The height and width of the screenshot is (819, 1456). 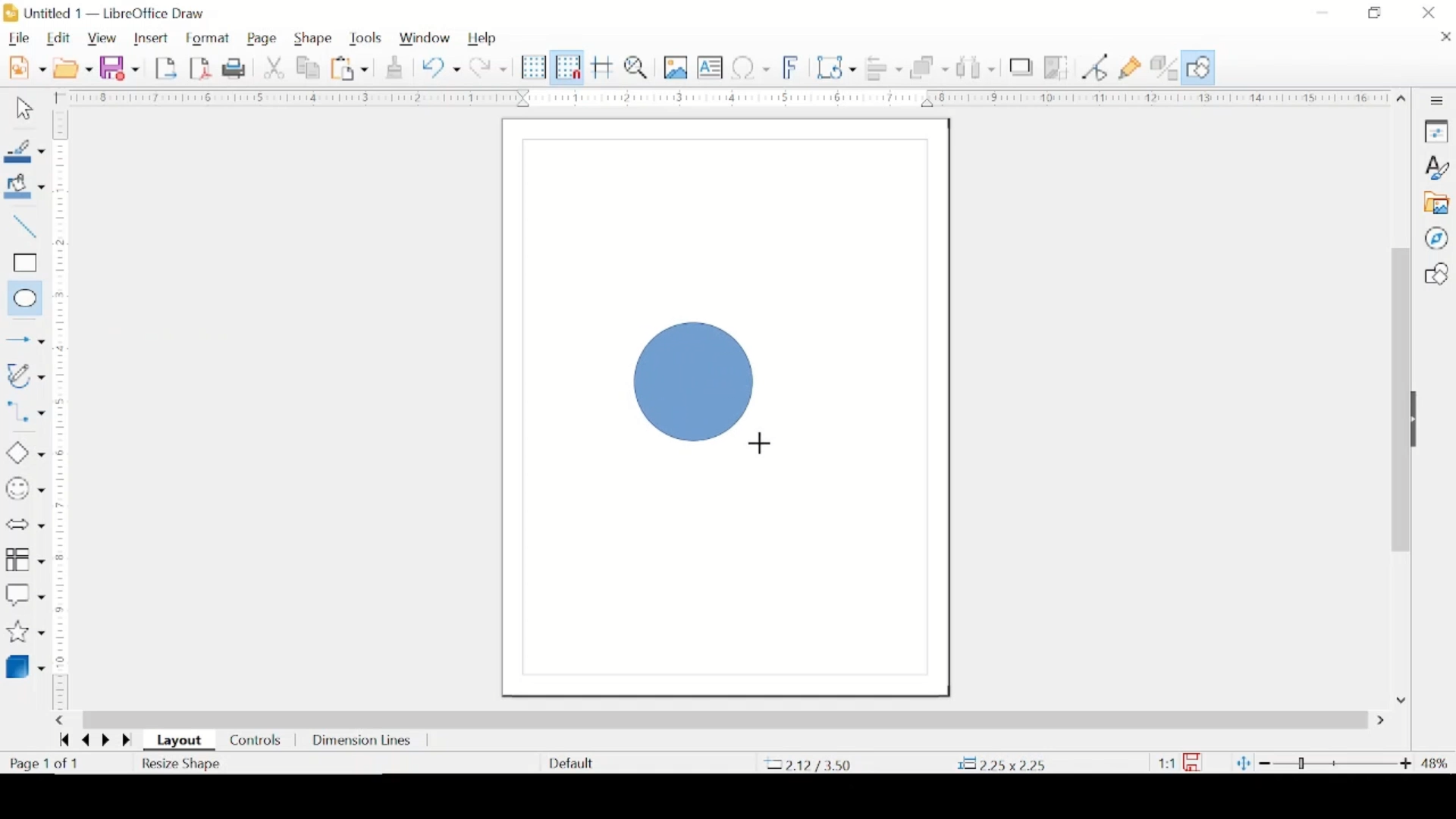 What do you see at coordinates (809, 764) in the screenshot?
I see `coordinate` at bounding box center [809, 764].